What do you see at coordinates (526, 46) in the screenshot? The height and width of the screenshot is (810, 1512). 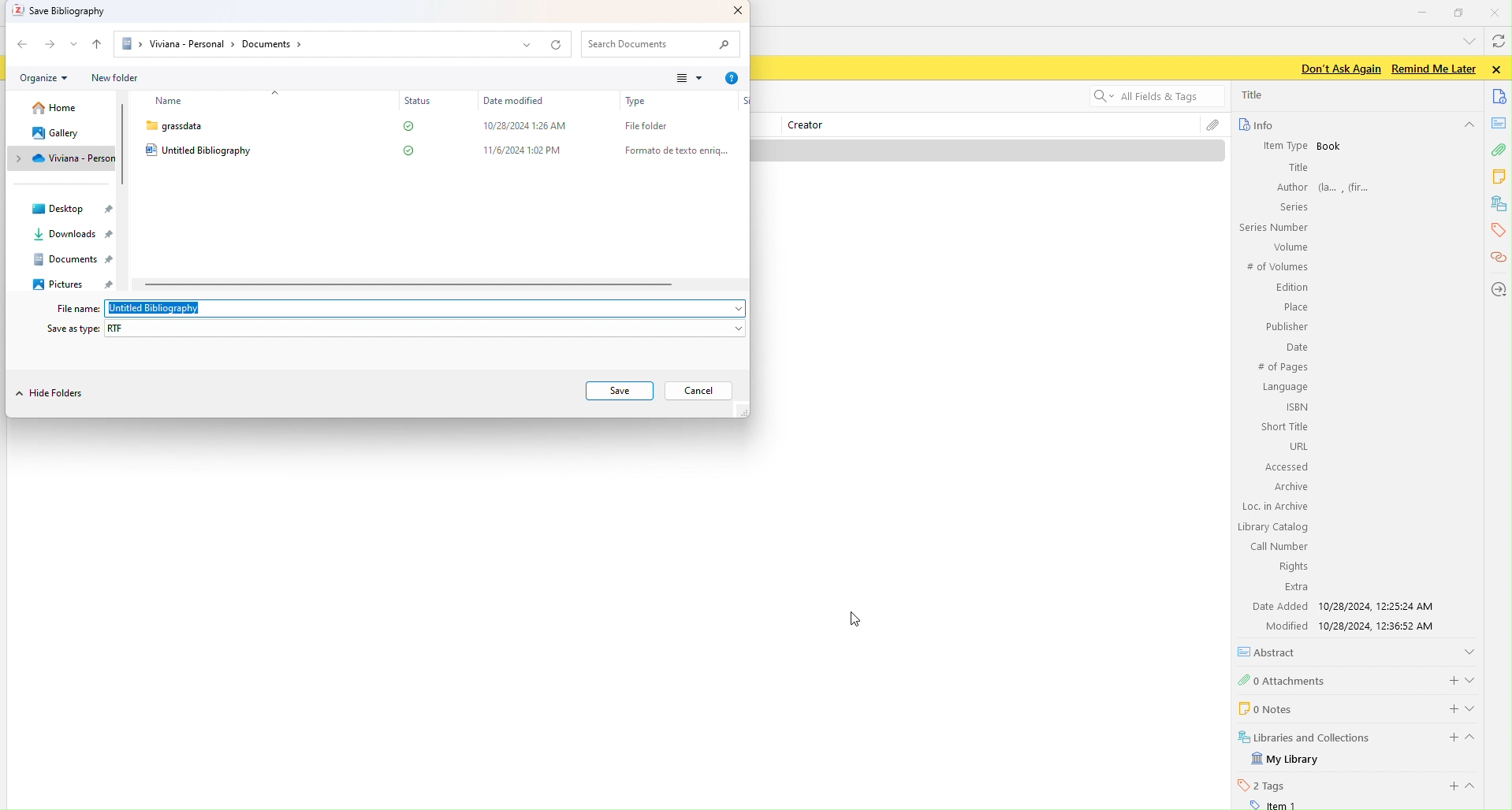 I see `Dropdown` at bounding box center [526, 46].